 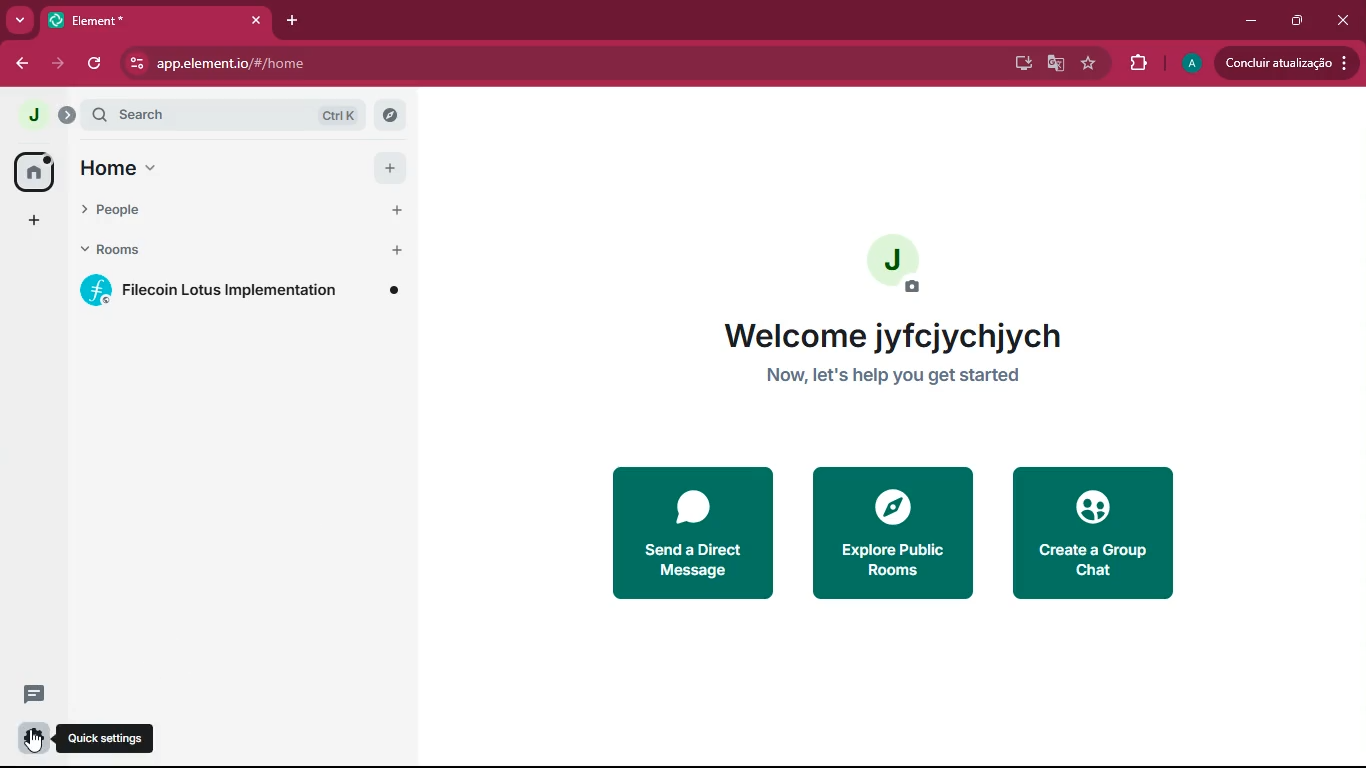 What do you see at coordinates (1248, 20) in the screenshot?
I see `minimize` at bounding box center [1248, 20].